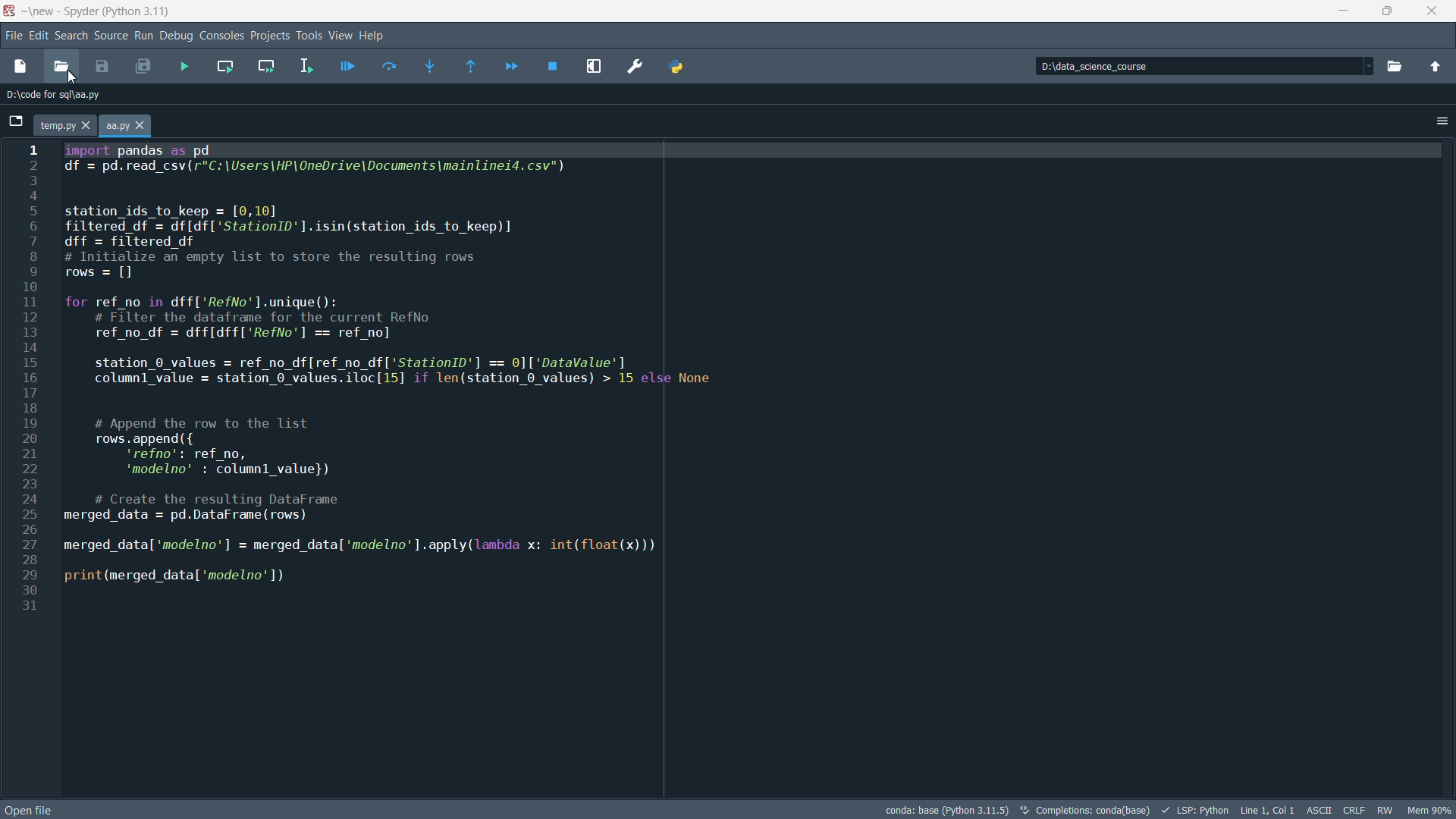 Image resolution: width=1456 pixels, height=819 pixels. I want to click on save file, so click(108, 67).